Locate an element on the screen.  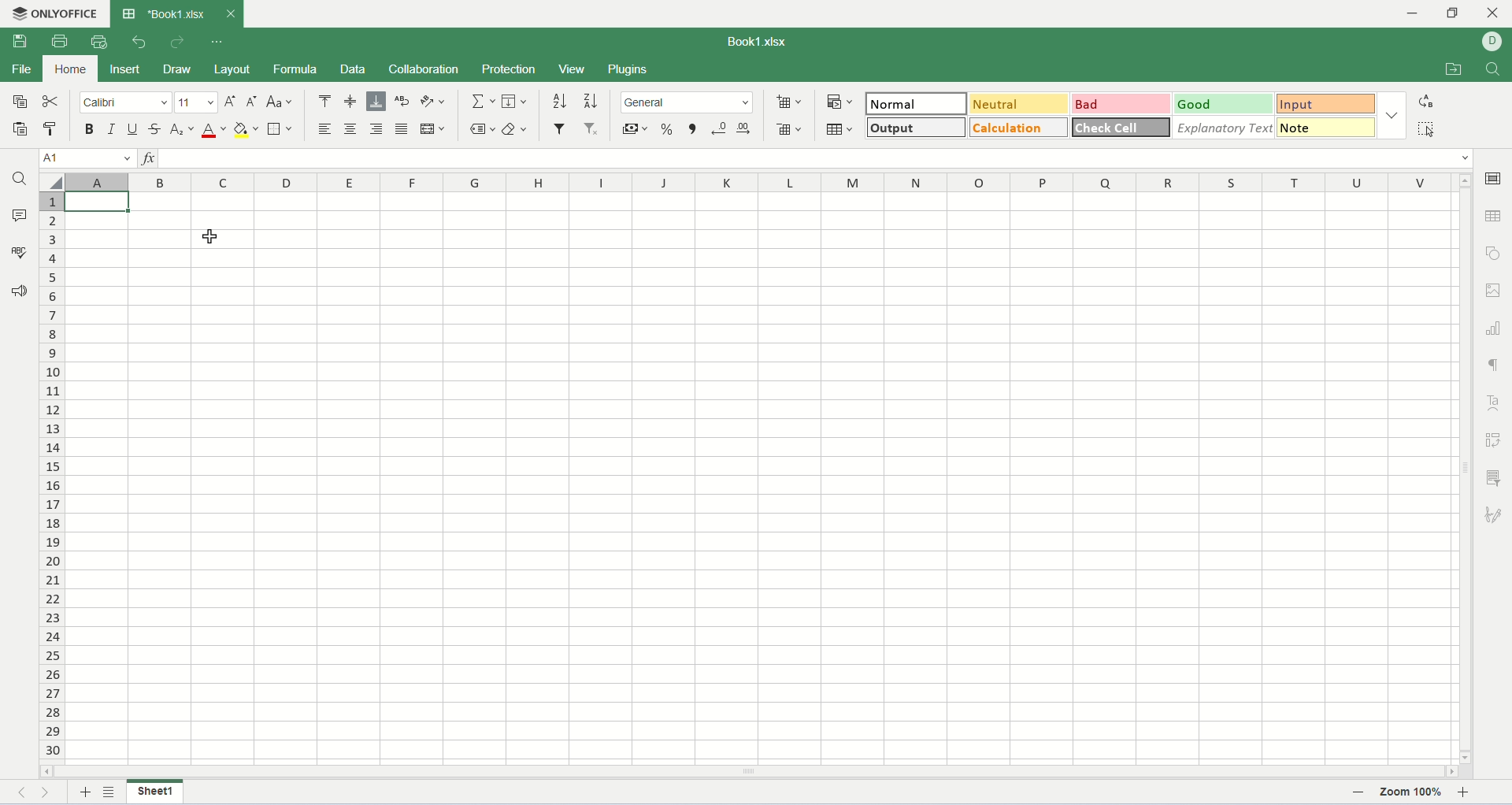
maximize is located at coordinates (1455, 13).